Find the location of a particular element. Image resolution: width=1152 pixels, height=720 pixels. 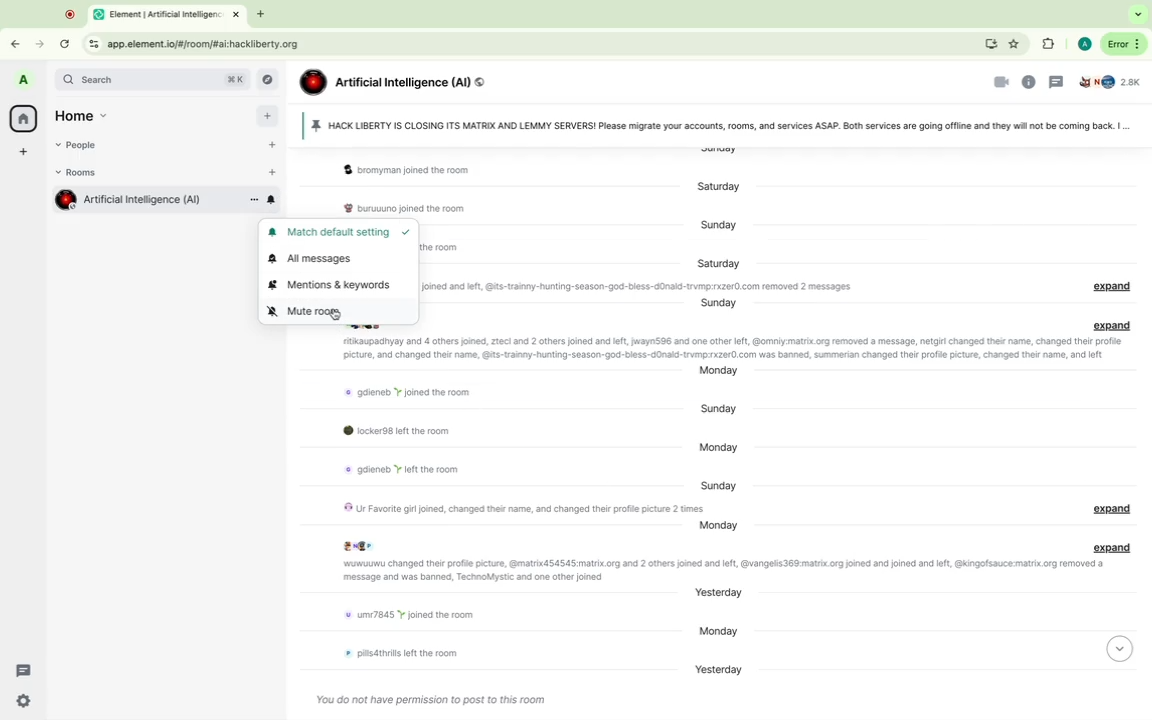

Url is located at coordinates (190, 43).